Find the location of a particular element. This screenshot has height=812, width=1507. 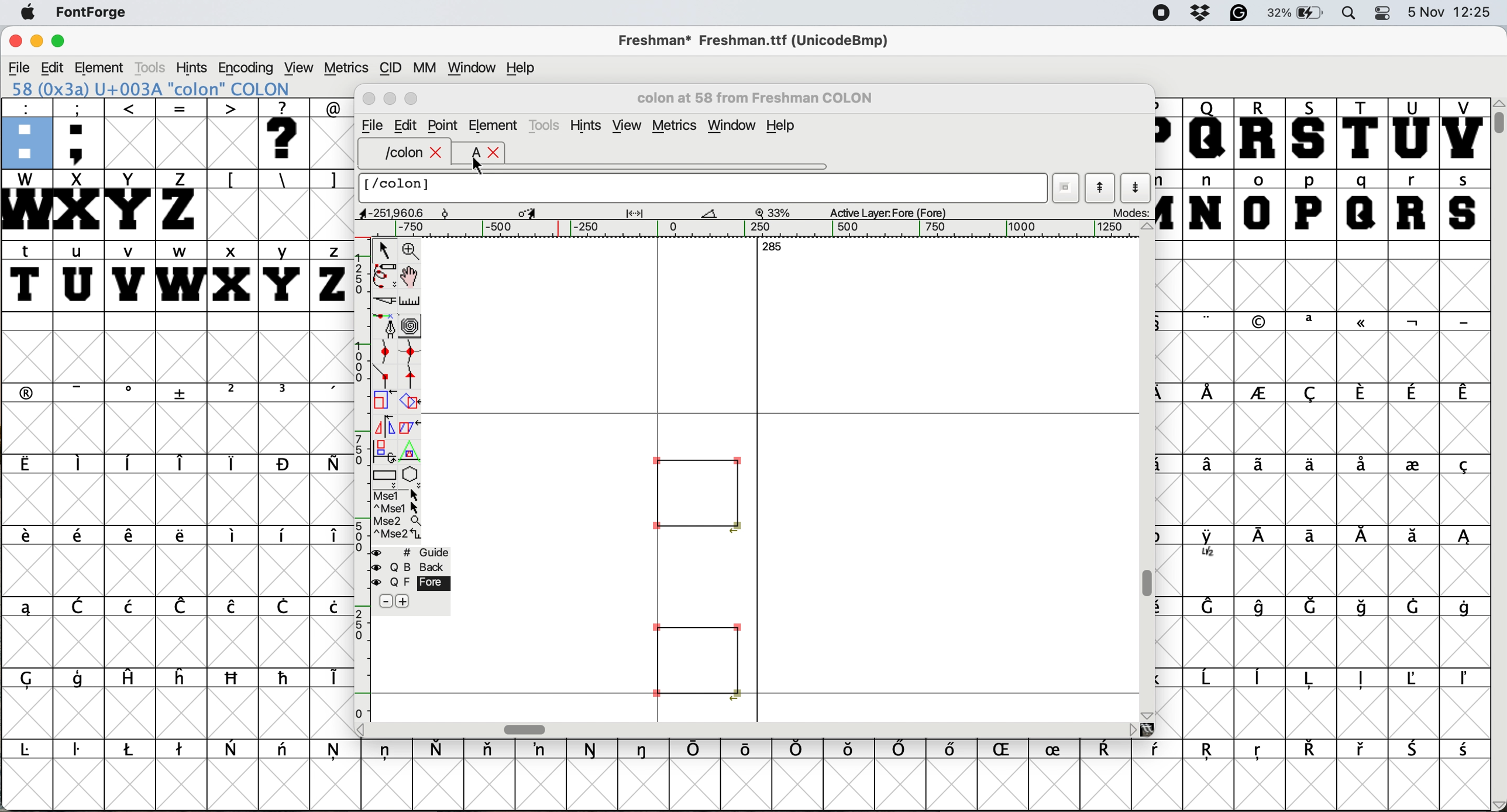

cursor is located at coordinates (481, 166).